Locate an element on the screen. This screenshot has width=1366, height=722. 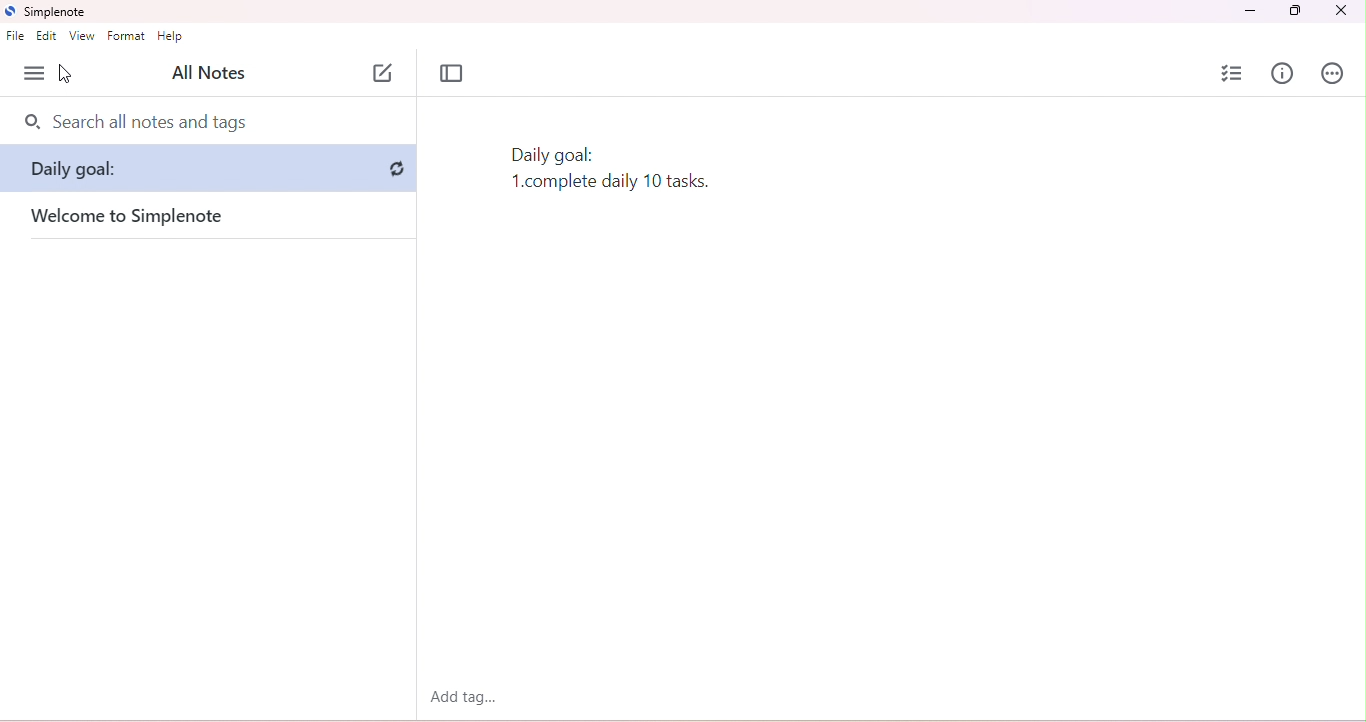
actions is located at coordinates (1334, 73).